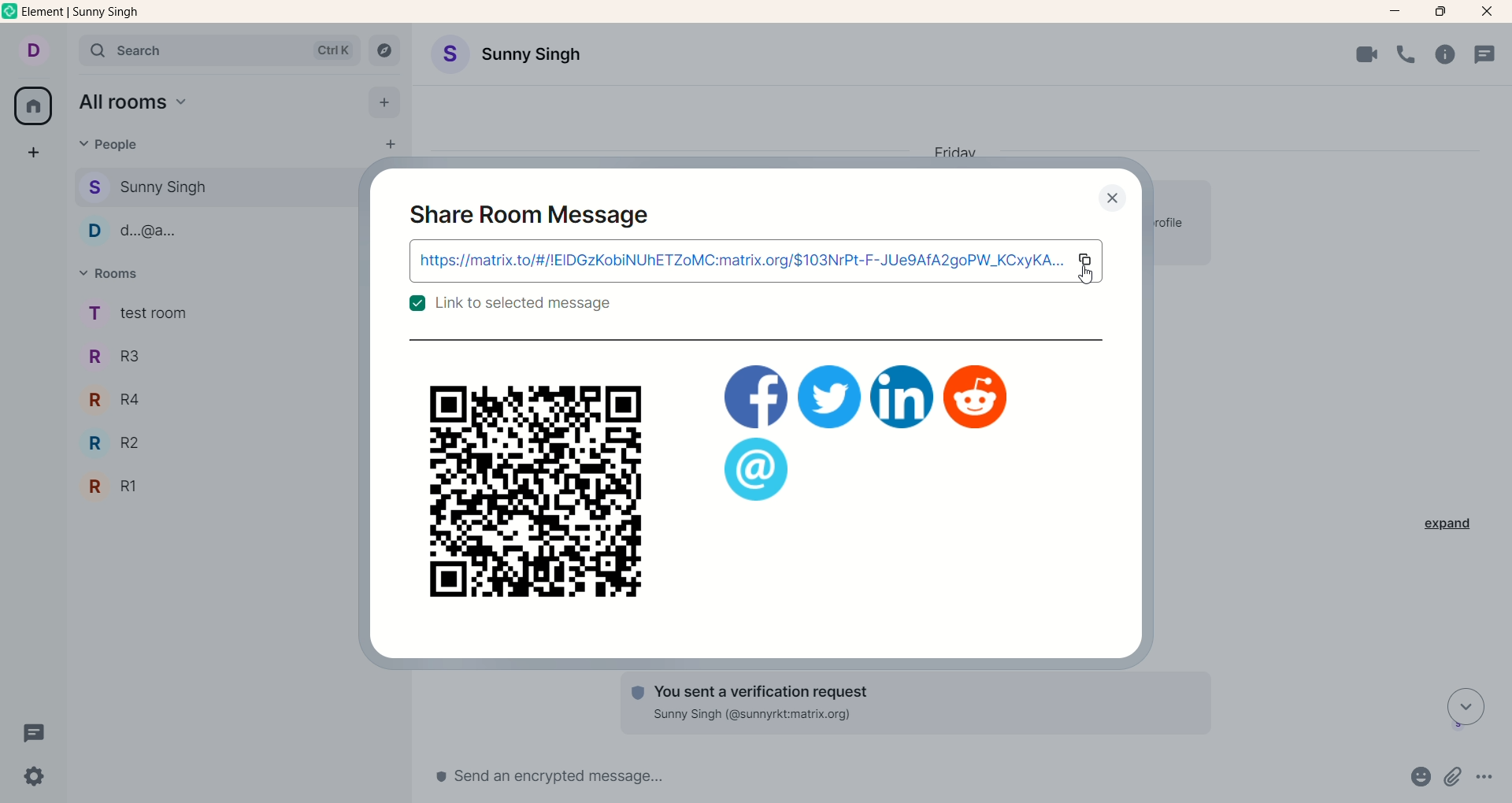  Describe the element at coordinates (905, 702) in the screenshot. I see `text` at that location.